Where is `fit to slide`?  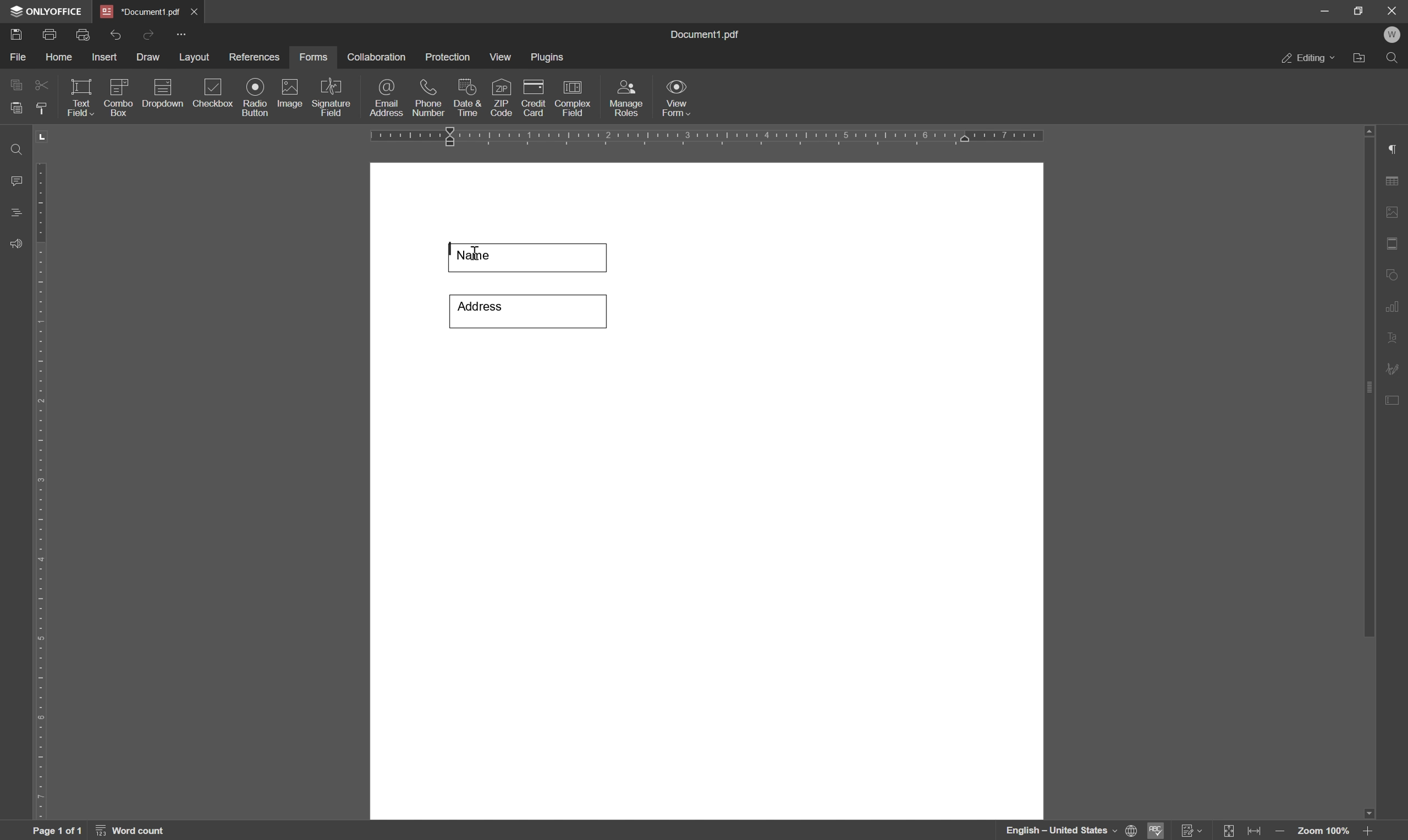 fit to slide is located at coordinates (1228, 831).